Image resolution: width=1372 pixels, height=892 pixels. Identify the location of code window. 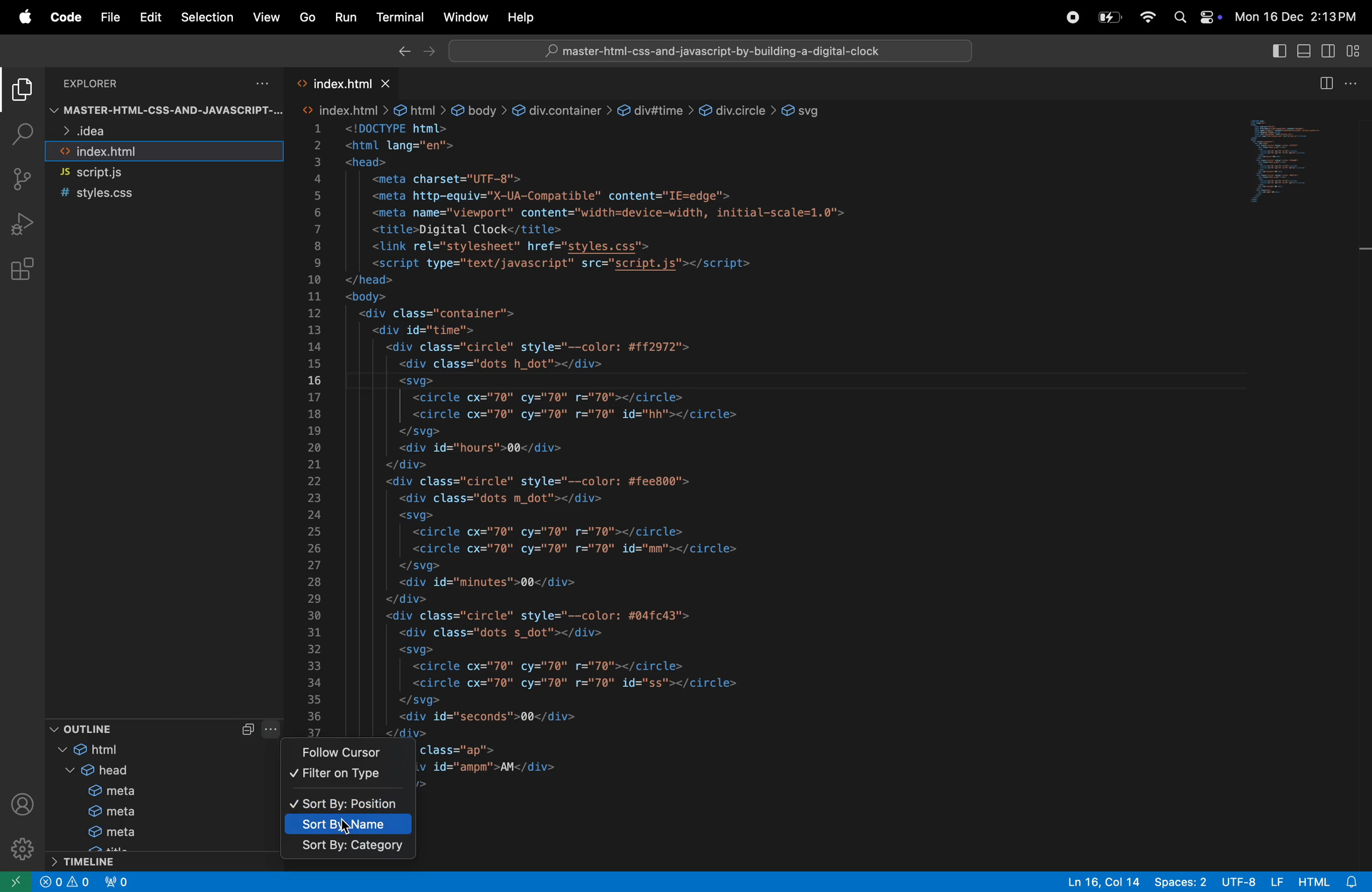
(1298, 156).